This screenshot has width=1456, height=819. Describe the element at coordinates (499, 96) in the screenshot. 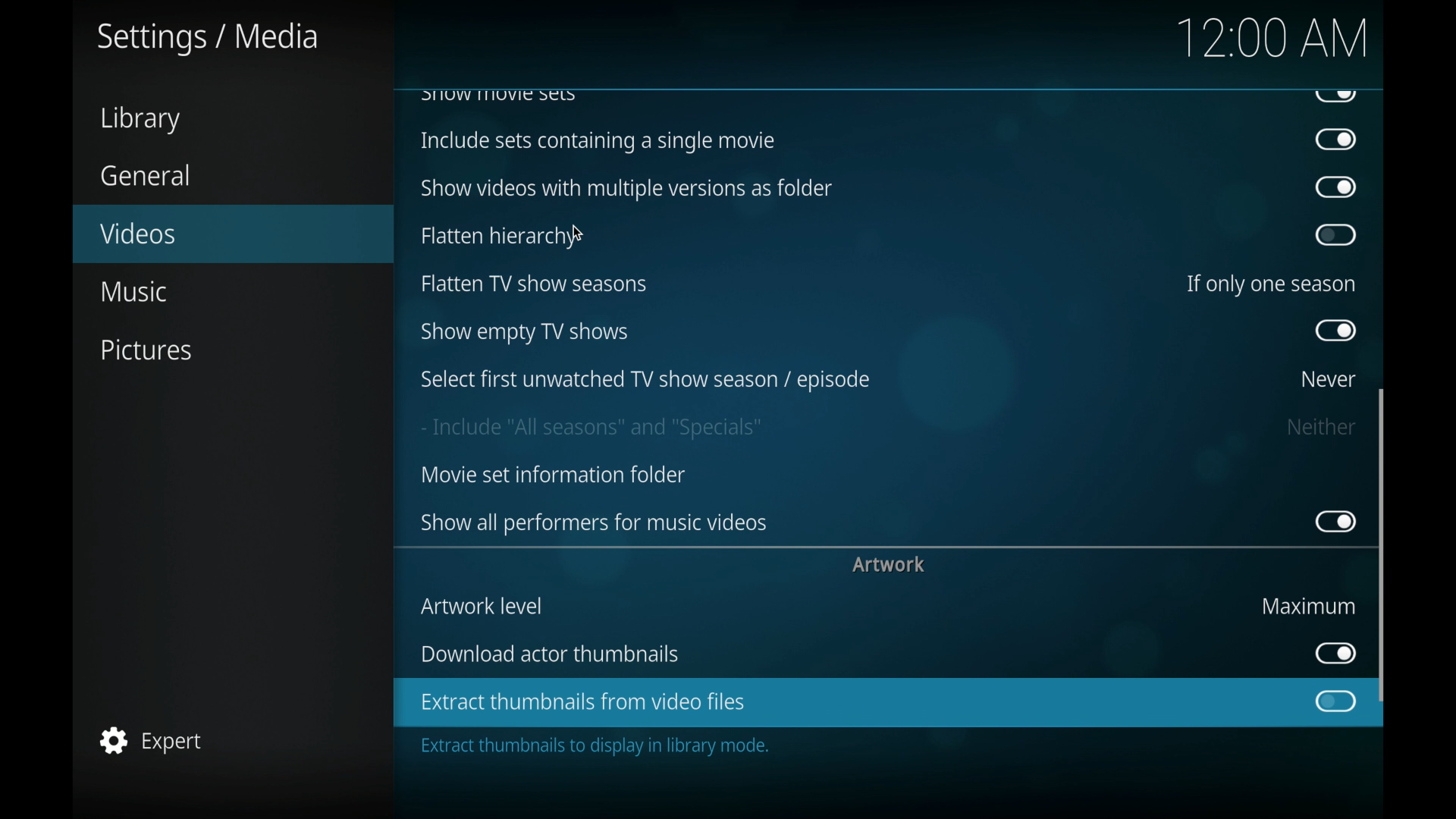

I see `show movie sets` at that location.